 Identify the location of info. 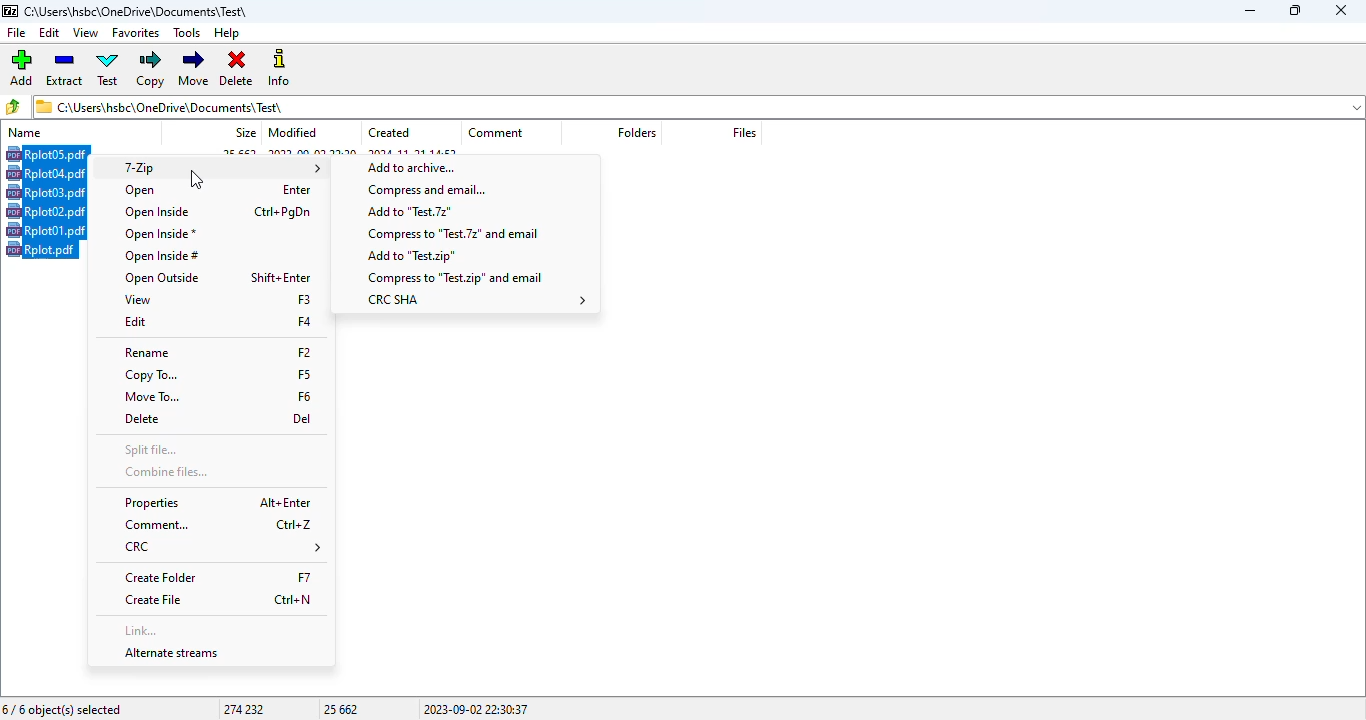
(281, 68).